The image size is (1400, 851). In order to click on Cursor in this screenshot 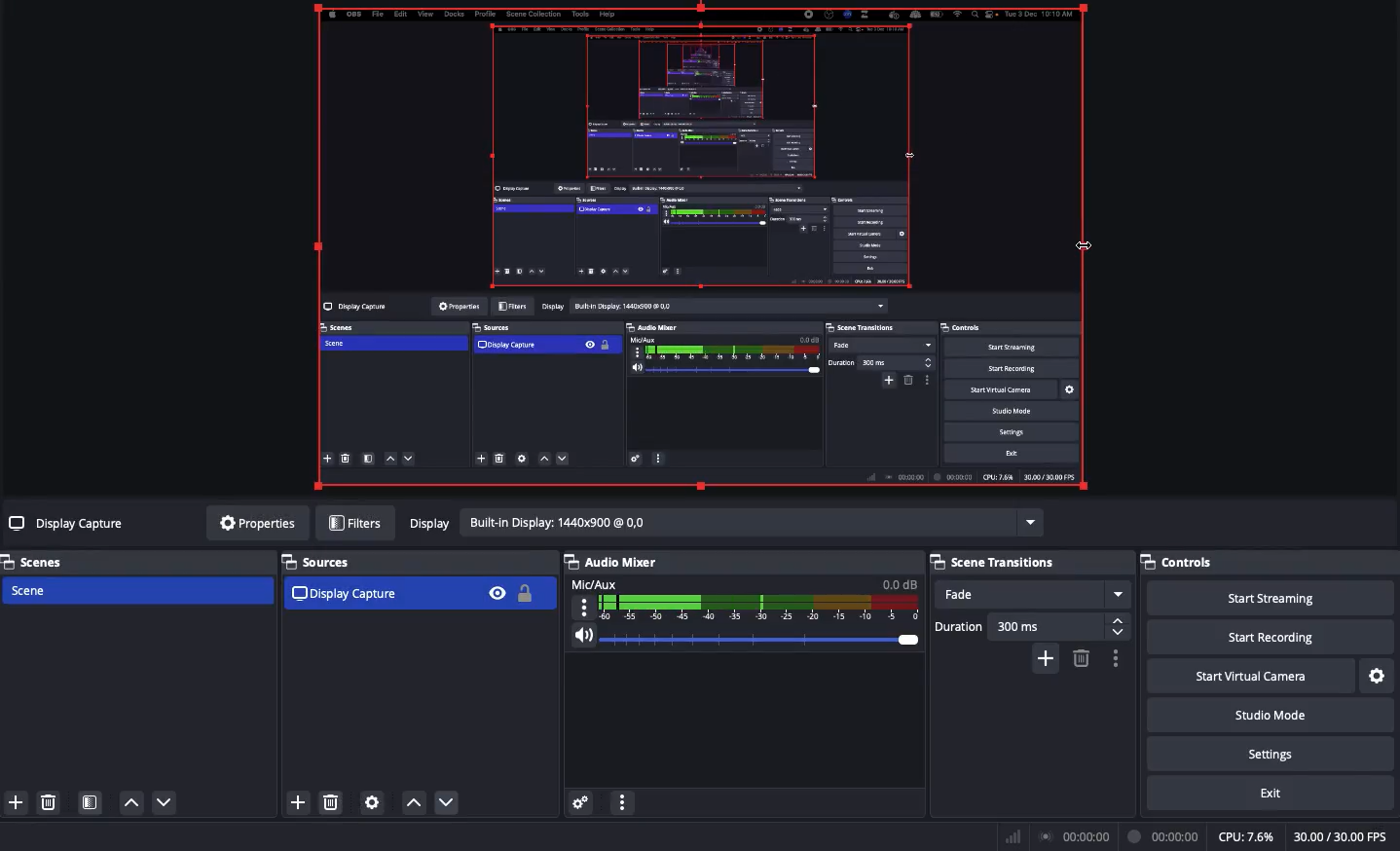, I will do `click(1074, 245)`.